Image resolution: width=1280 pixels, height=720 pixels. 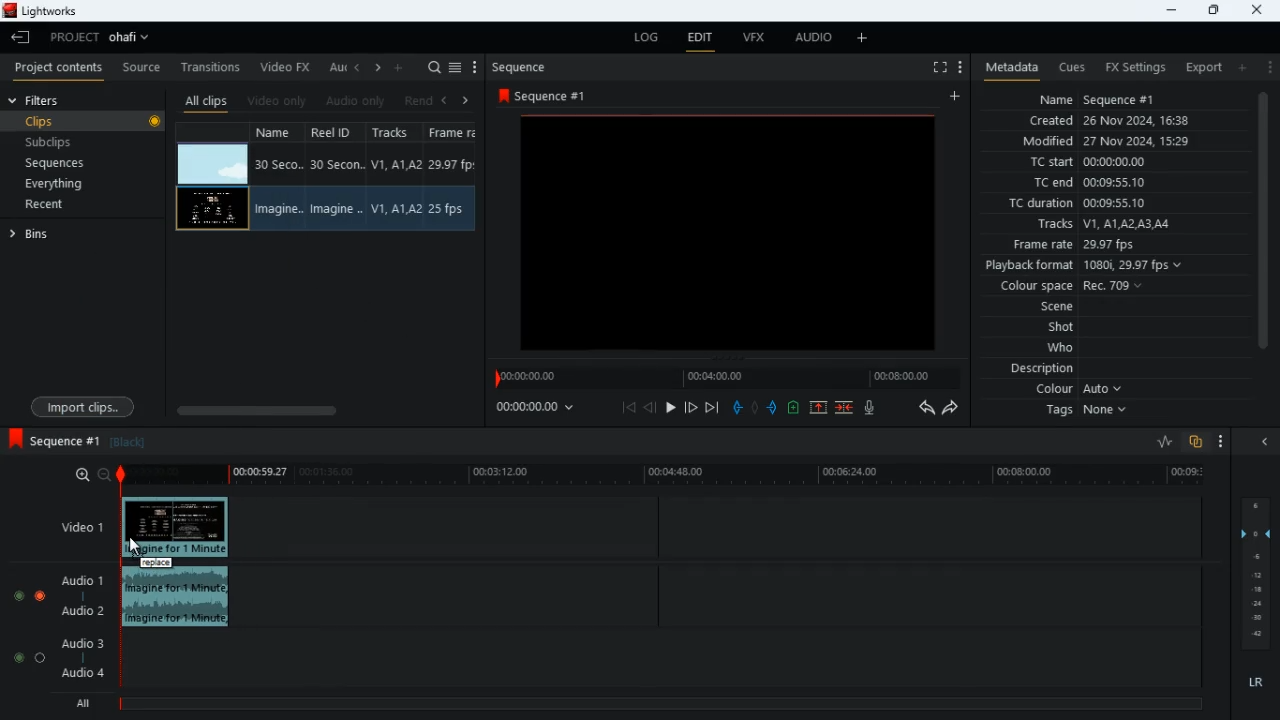 I want to click on pull, so click(x=737, y=407).